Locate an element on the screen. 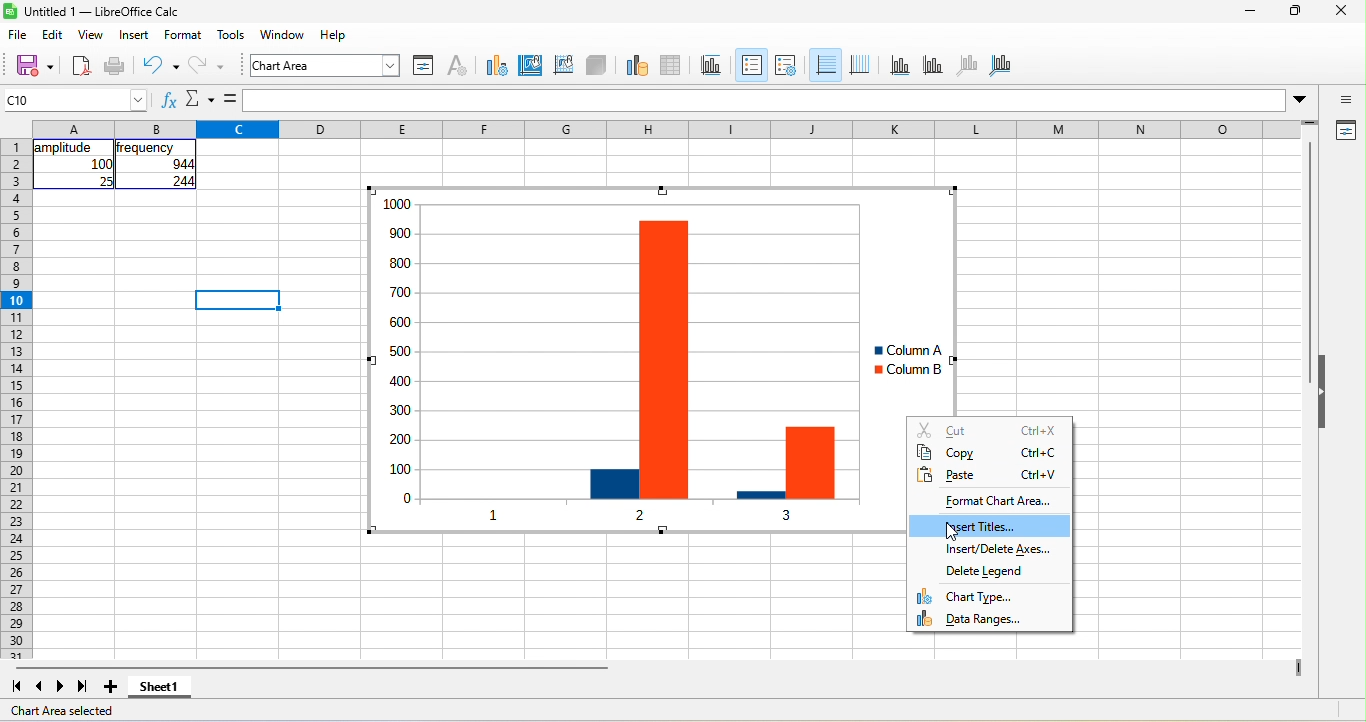  Function options is located at coordinates (200, 99).